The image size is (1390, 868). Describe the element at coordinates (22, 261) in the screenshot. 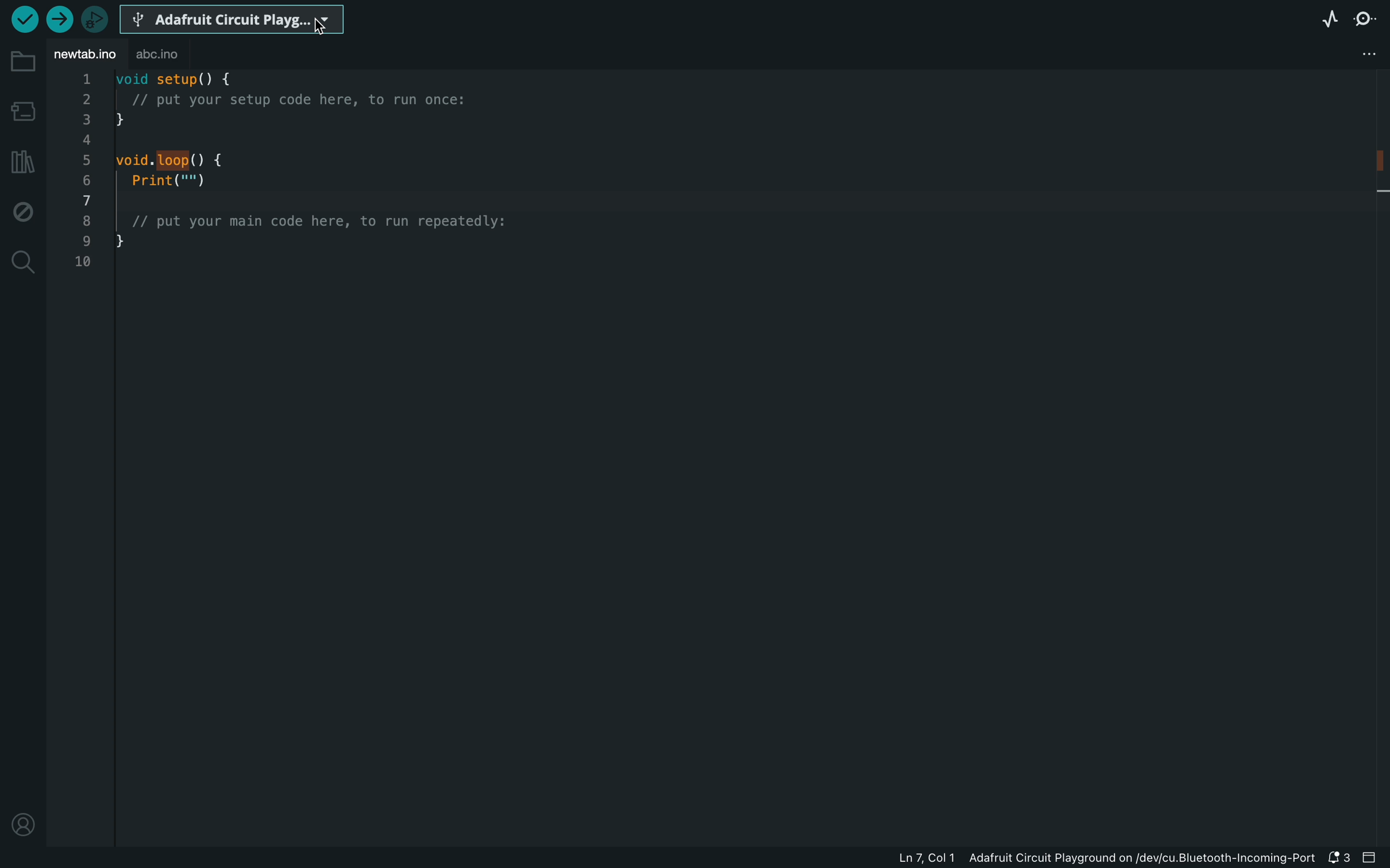

I see `search` at that location.